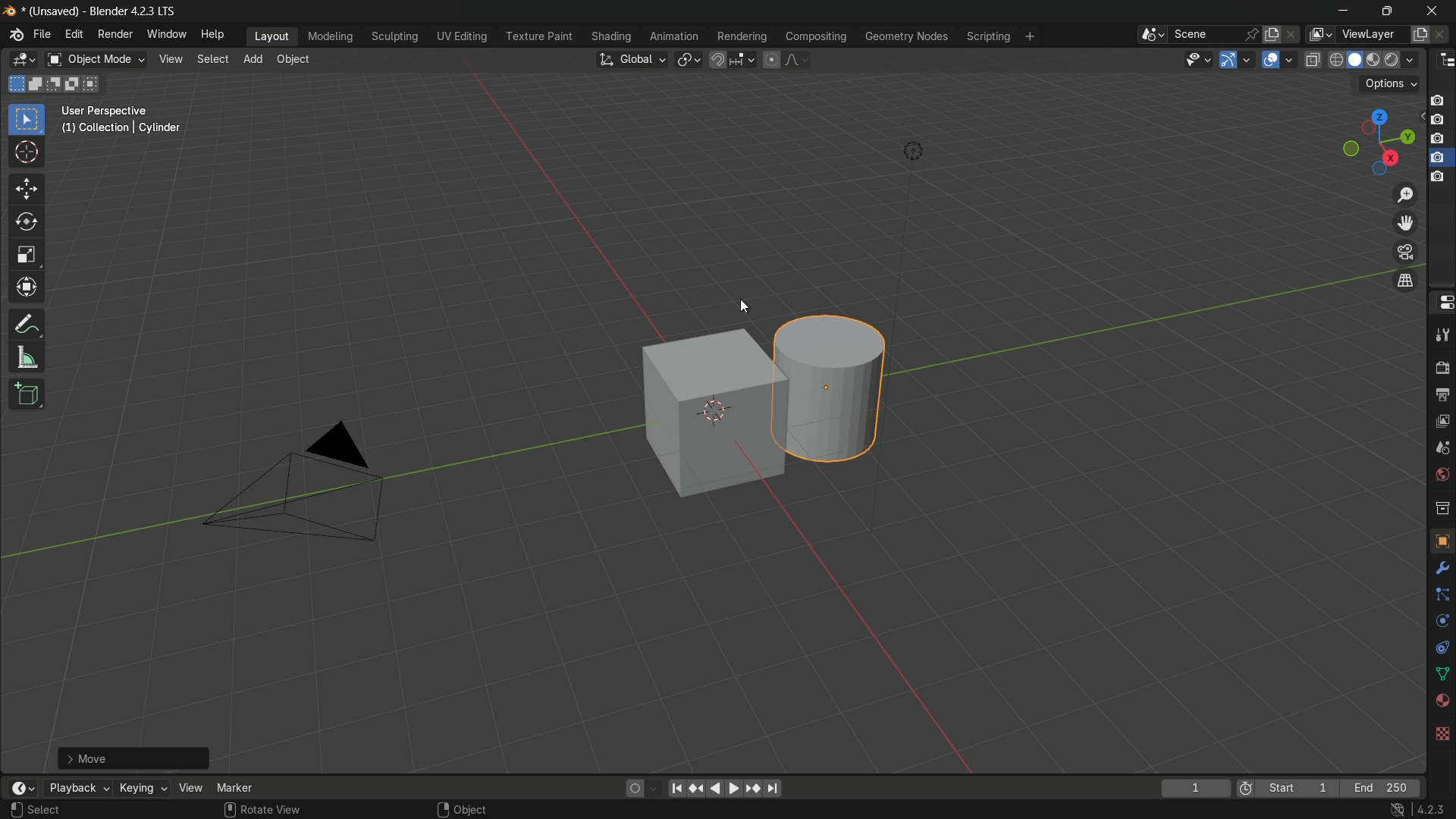 This screenshot has height=819, width=1456. I want to click on help menu, so click(214, 35).